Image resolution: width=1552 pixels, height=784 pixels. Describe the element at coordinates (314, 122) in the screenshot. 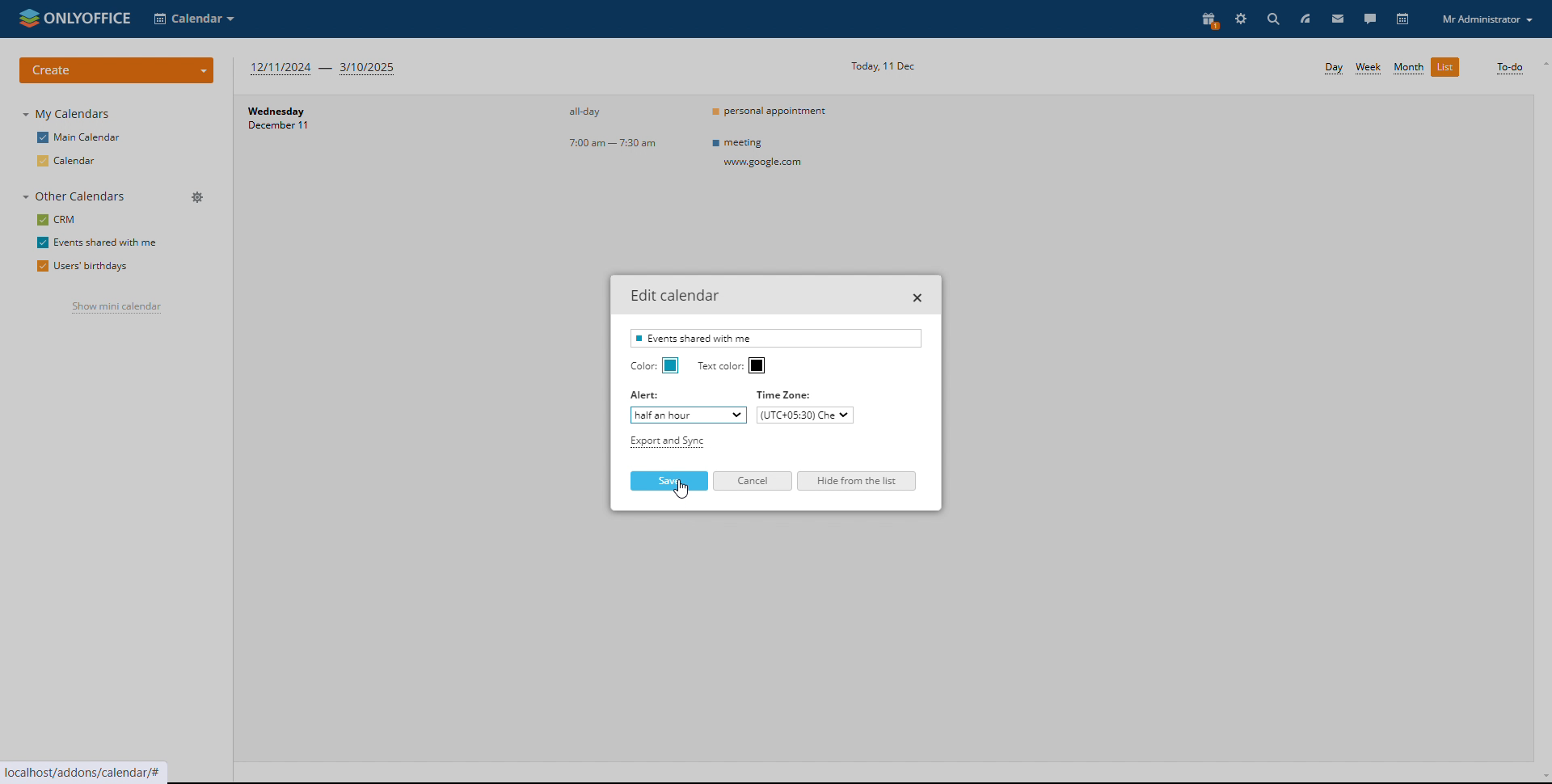

I see `day and date` at that location.